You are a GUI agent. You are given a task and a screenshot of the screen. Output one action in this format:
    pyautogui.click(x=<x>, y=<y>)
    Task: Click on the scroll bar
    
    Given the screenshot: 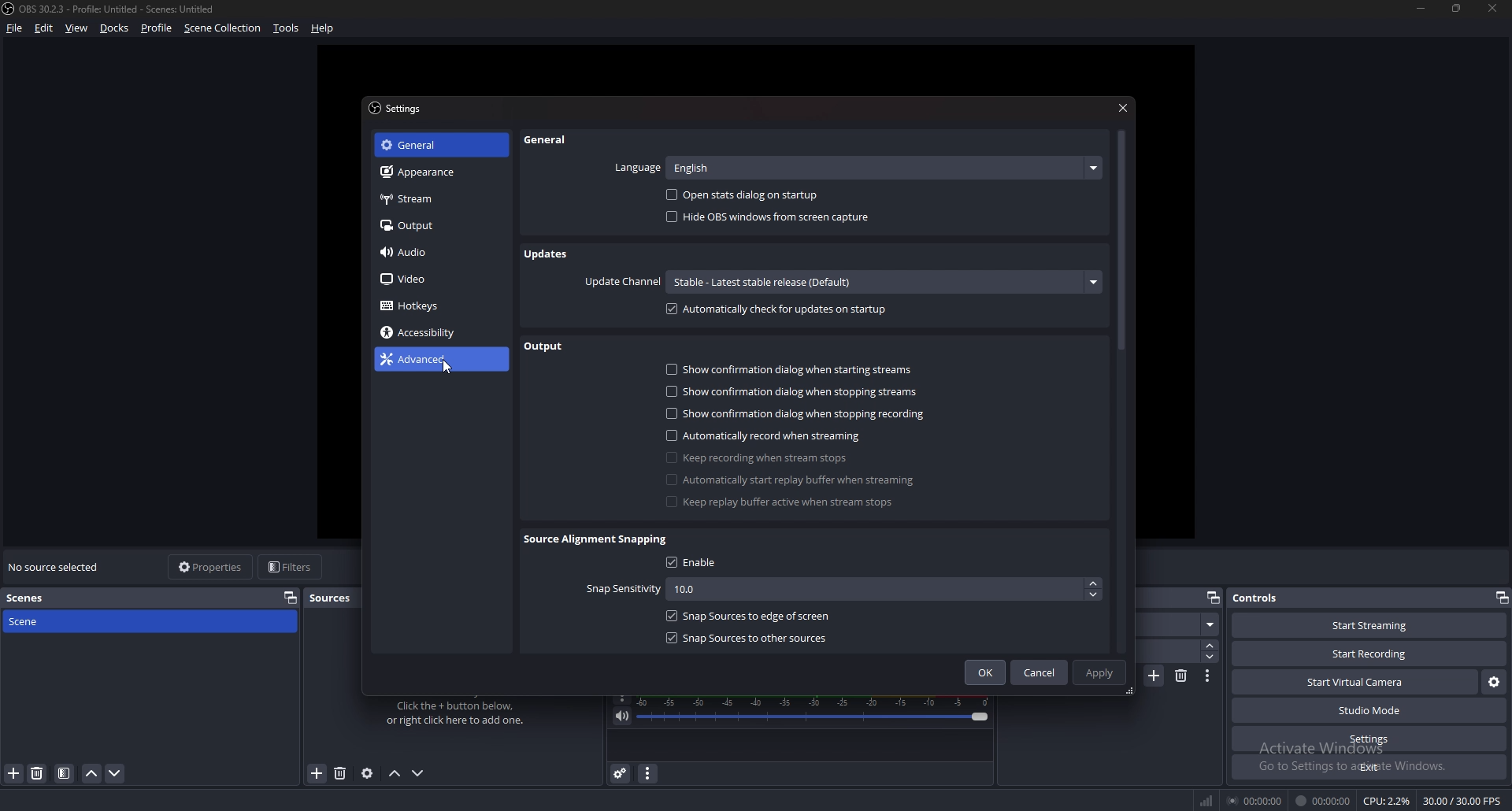 What is the action you would take?
    pyautogui.click(x=1120, y=240)
    